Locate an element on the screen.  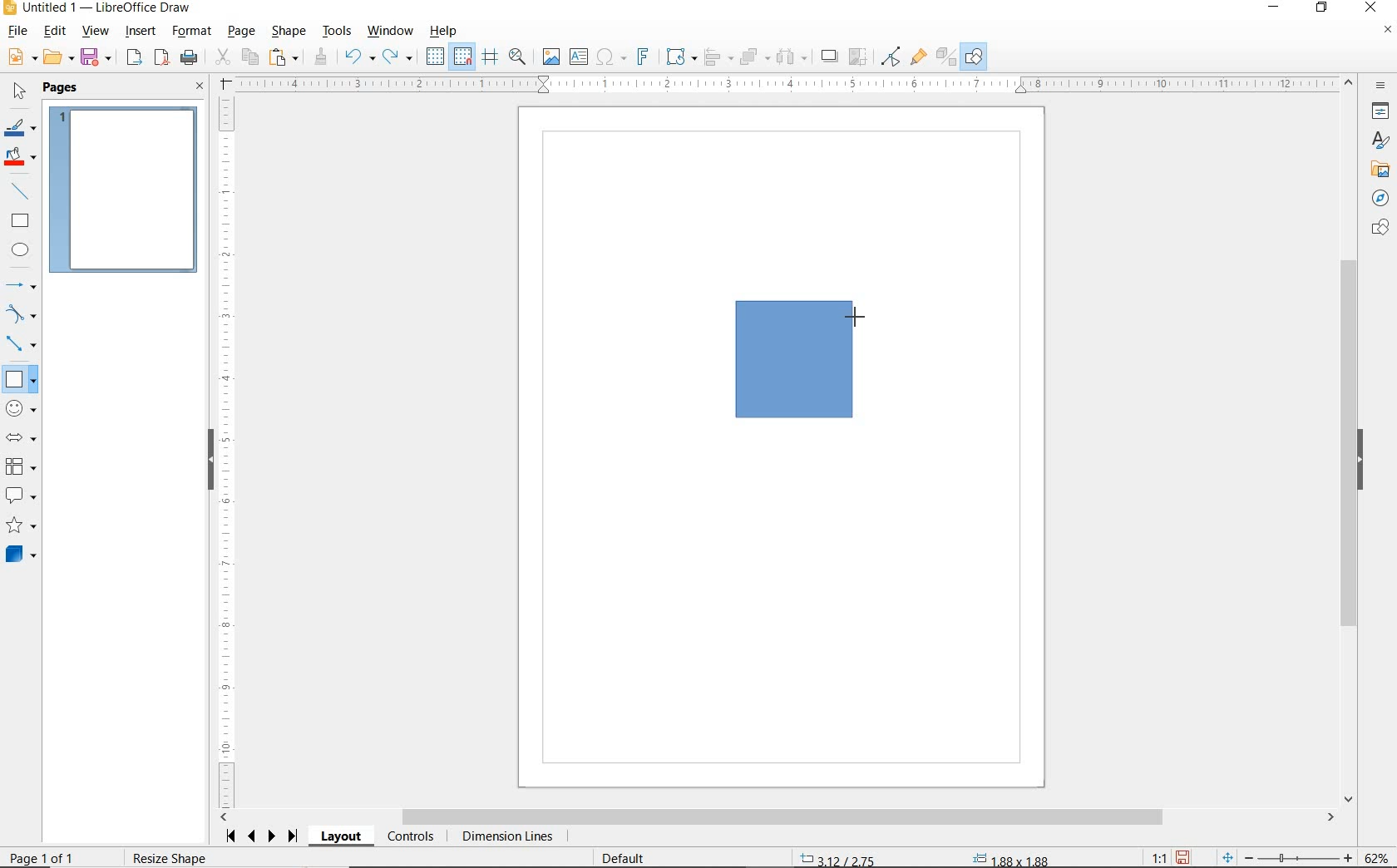
HELPLINES WHILE MOVING is located at coordinates (493, 59).